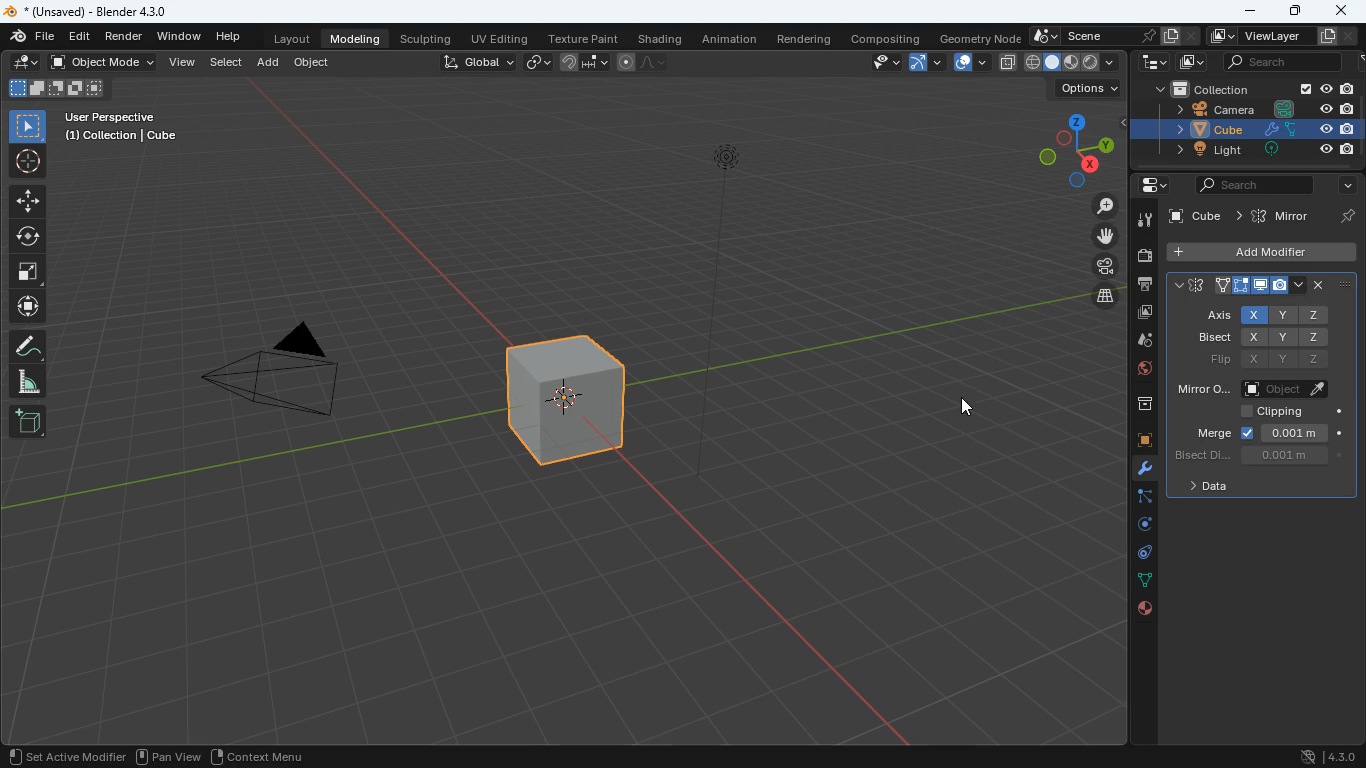 The image size is (1366, 768). What do you see at coordinates (126, 37) in the screenshot?
I see `render` at bounding box center [126, 37].